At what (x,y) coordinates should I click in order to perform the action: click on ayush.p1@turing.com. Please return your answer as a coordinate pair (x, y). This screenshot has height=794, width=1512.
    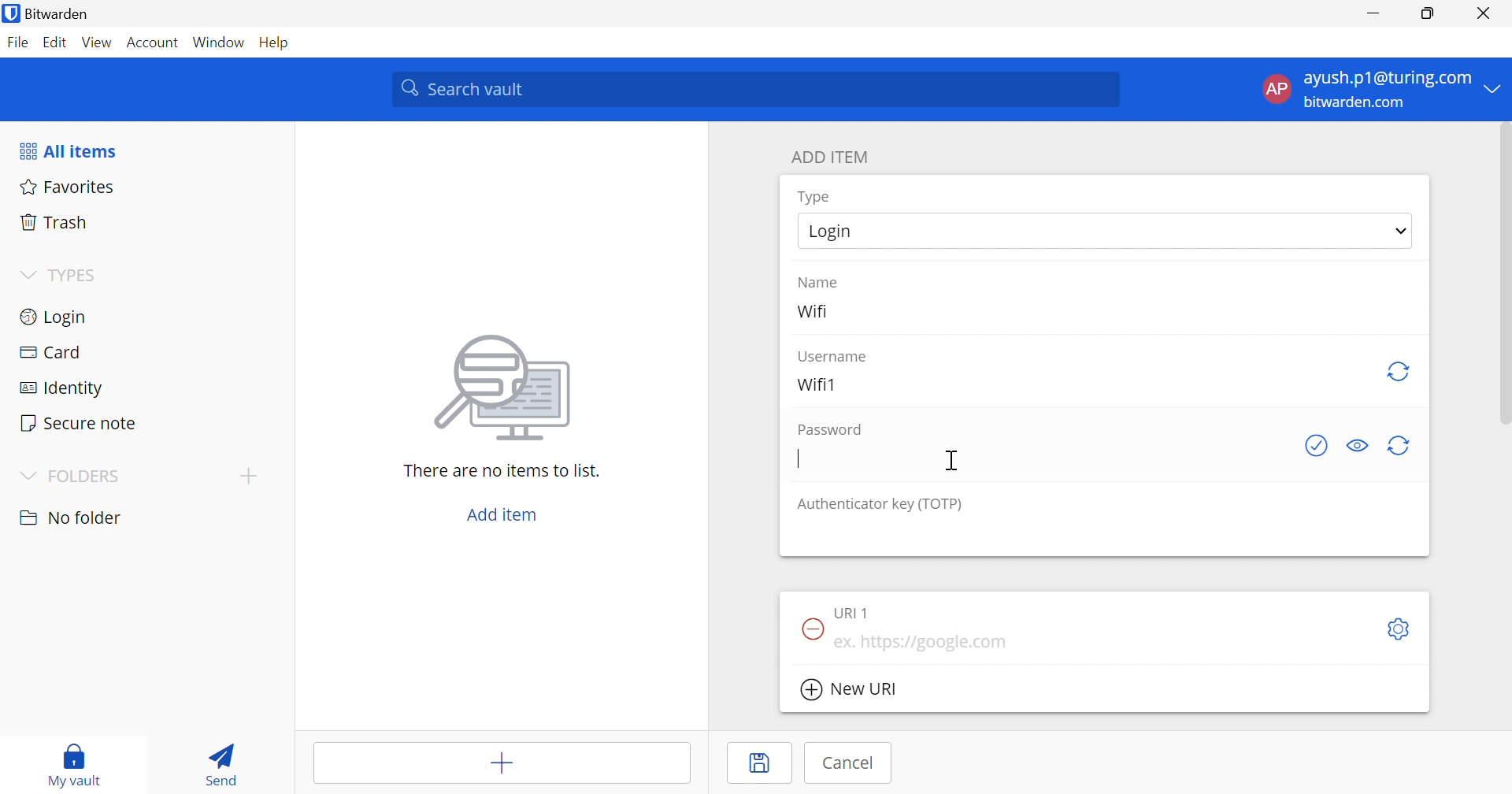
    Looking at the image, I should click on (1388, 79).